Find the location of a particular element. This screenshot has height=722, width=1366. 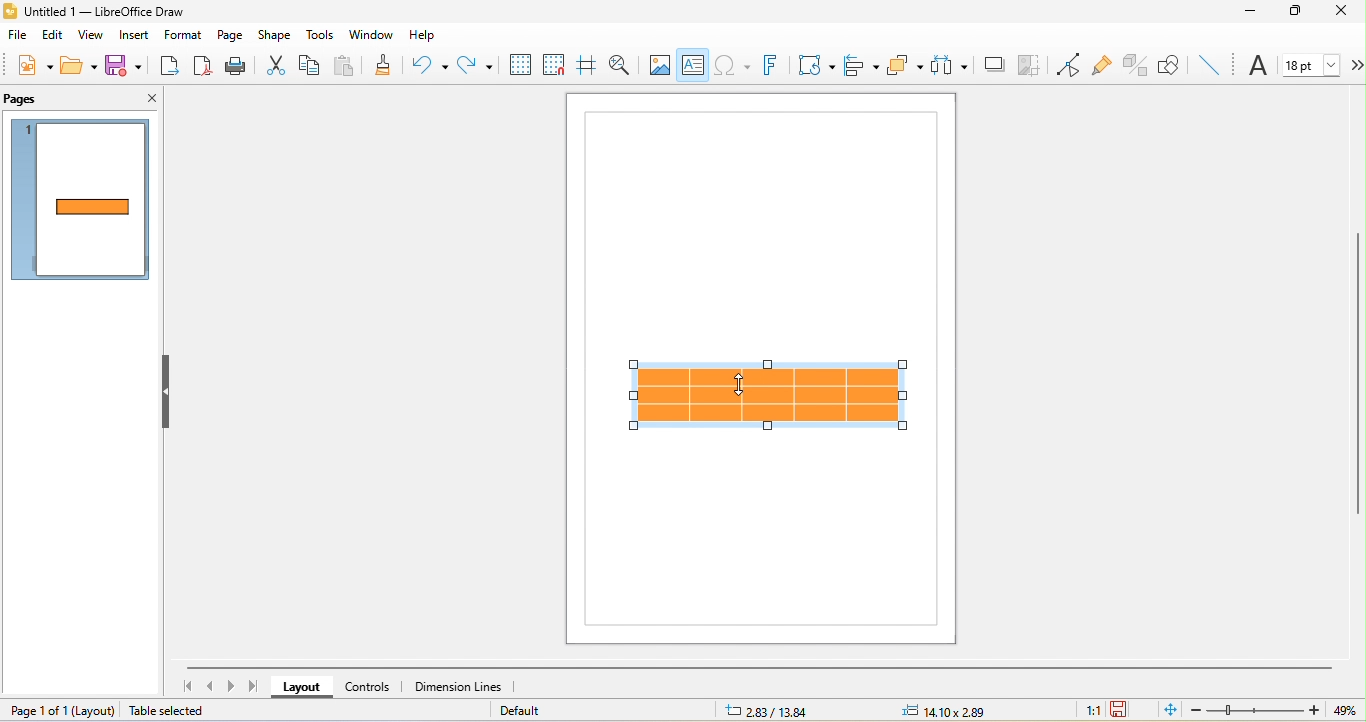

save is located at coordinates (123, 65).